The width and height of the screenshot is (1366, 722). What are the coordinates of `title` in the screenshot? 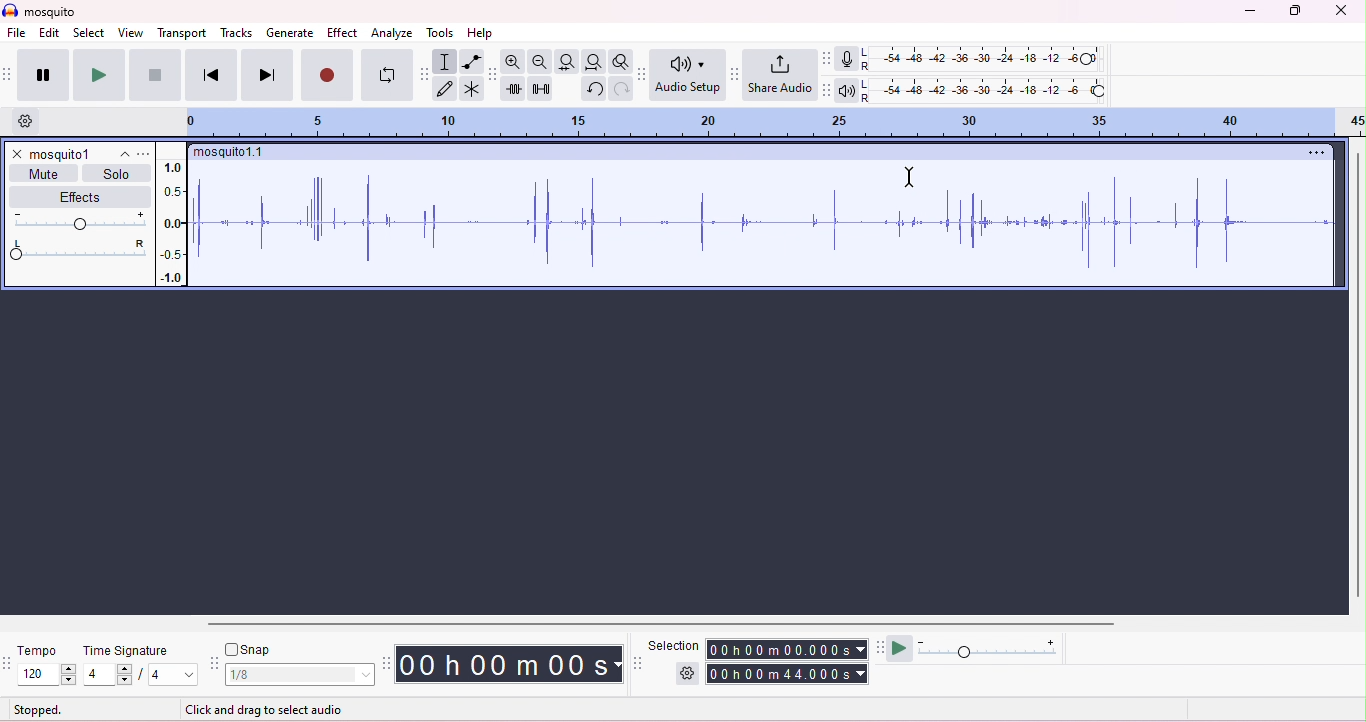 It's located at (39, 10).